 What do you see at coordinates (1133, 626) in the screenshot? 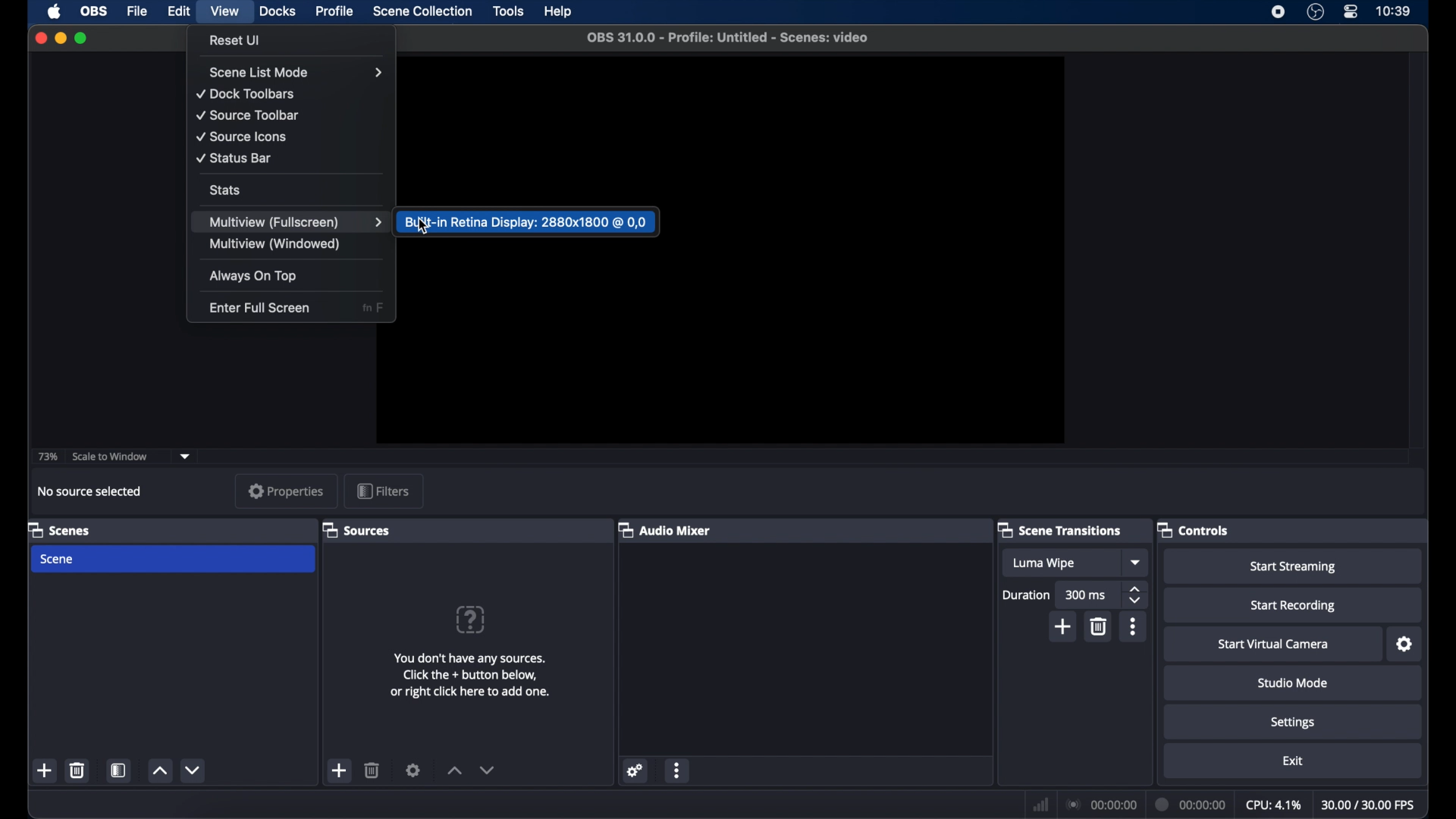
I see `more options` at bounding box center [1133, 626].